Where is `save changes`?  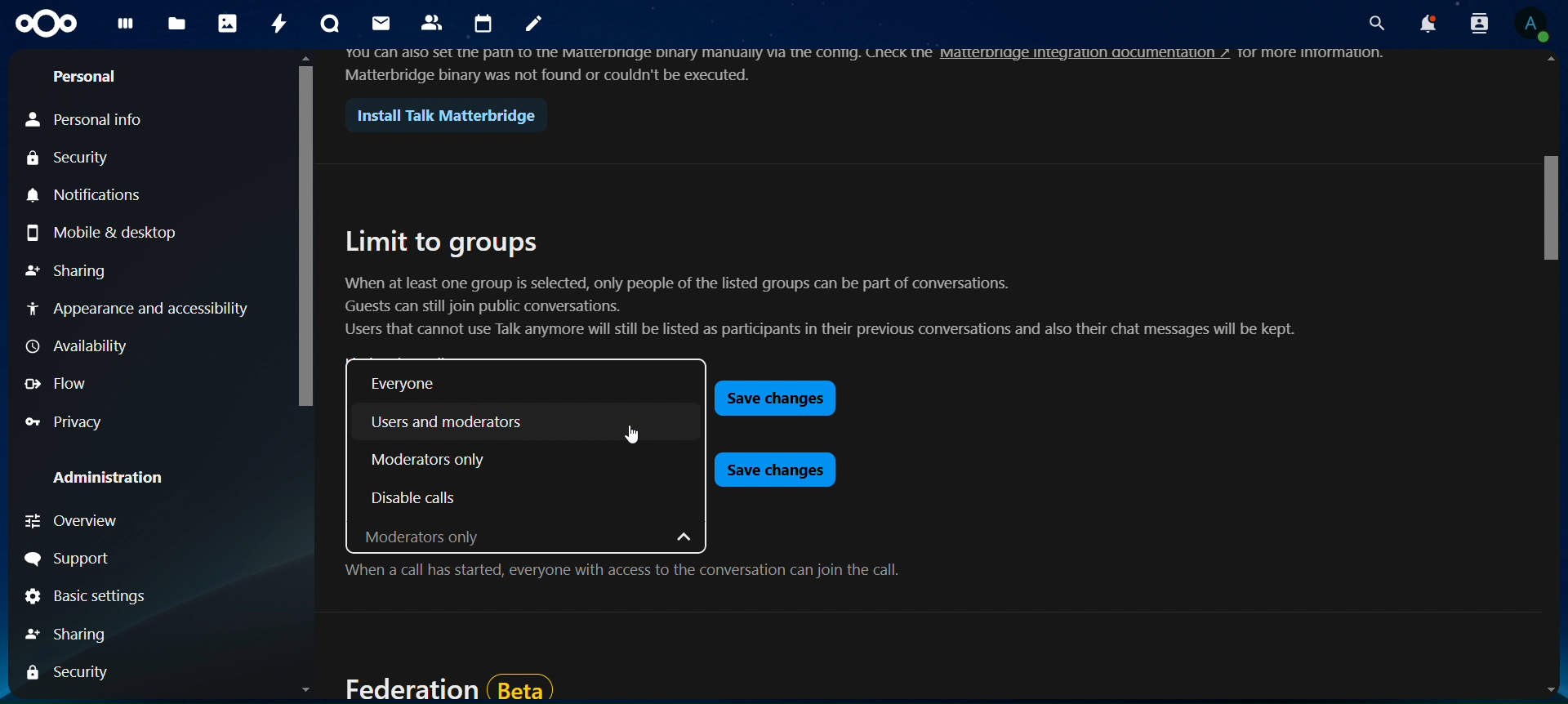
save changes is located at coordinates (772, 469).